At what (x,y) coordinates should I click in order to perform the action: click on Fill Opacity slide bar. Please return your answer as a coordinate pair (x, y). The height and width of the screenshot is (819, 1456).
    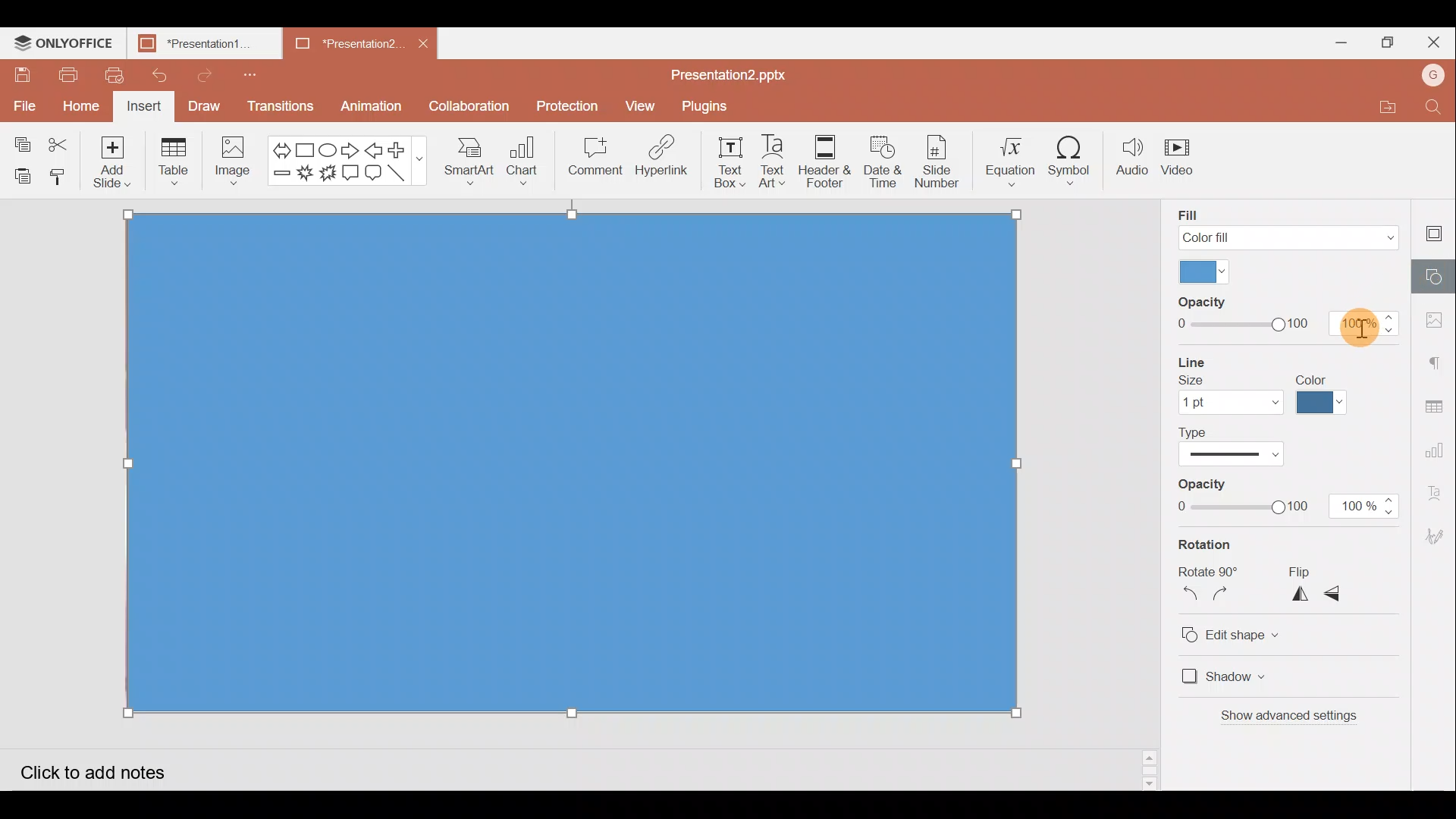
    Looking at the image, I should click on (1241, 315).